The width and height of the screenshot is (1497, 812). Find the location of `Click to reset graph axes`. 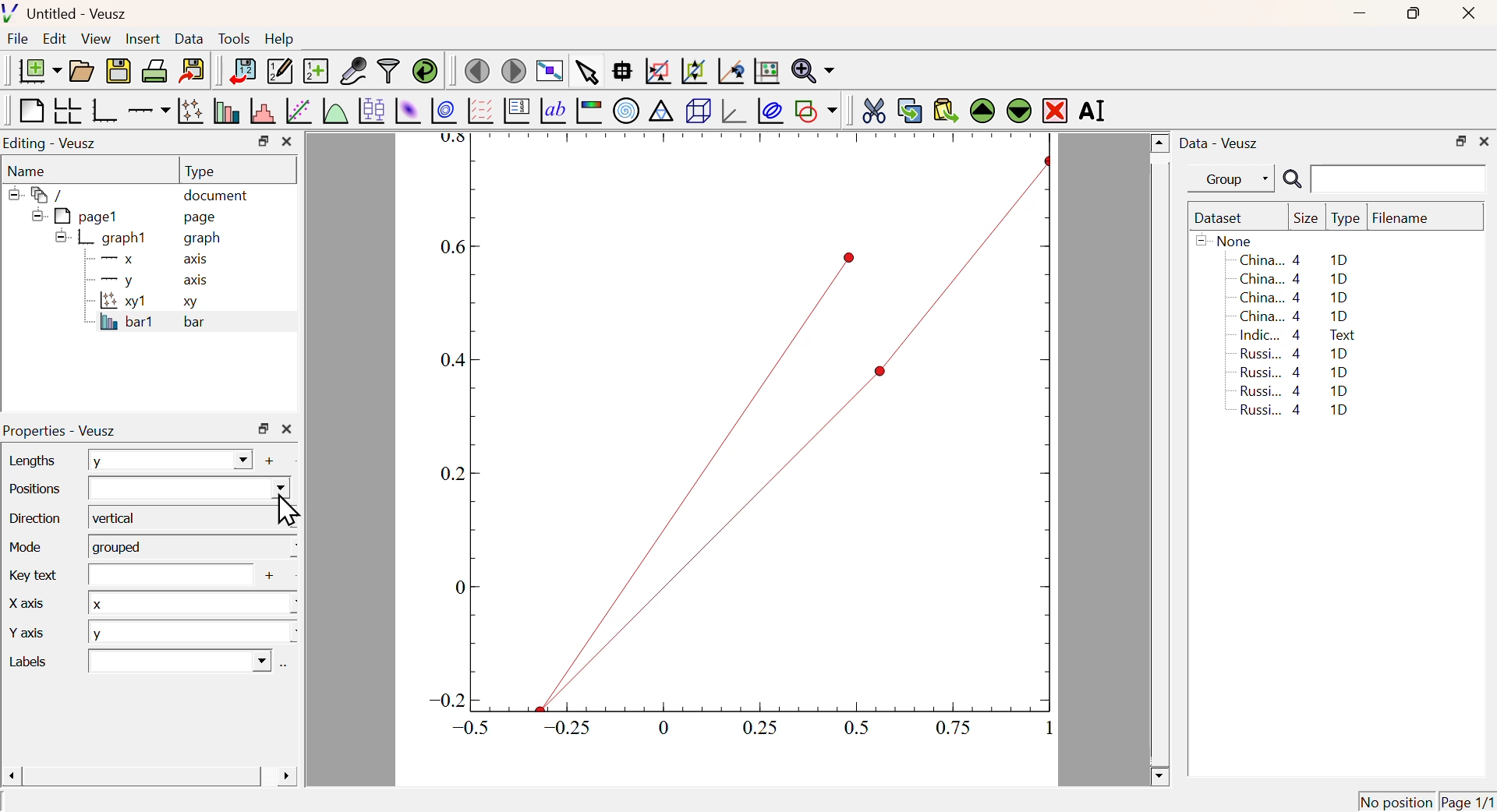

Click to reset graph axes is located at coordinates (728, 72).